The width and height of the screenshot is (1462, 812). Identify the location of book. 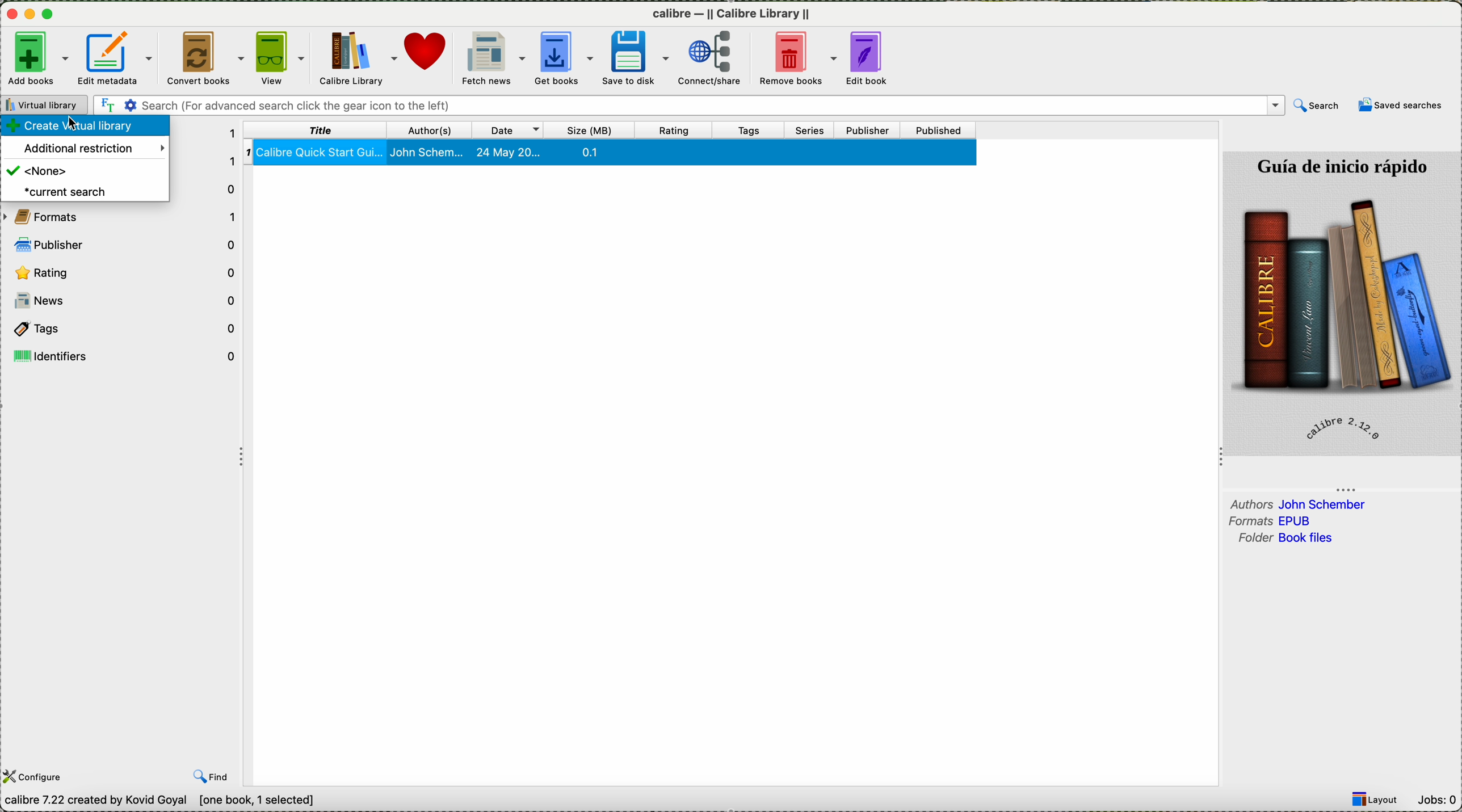
(610, 154).